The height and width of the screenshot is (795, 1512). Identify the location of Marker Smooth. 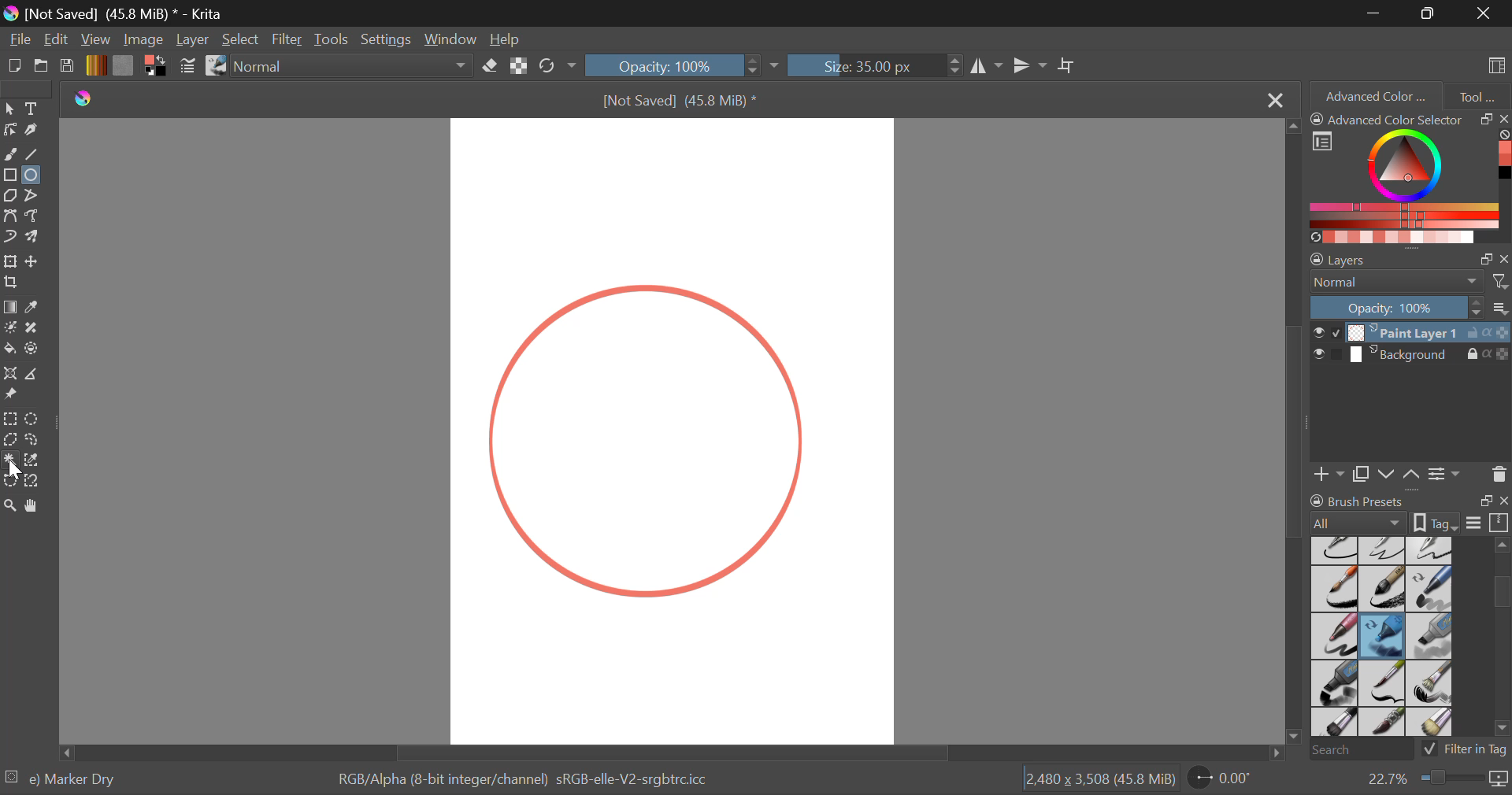
(1334, 636).